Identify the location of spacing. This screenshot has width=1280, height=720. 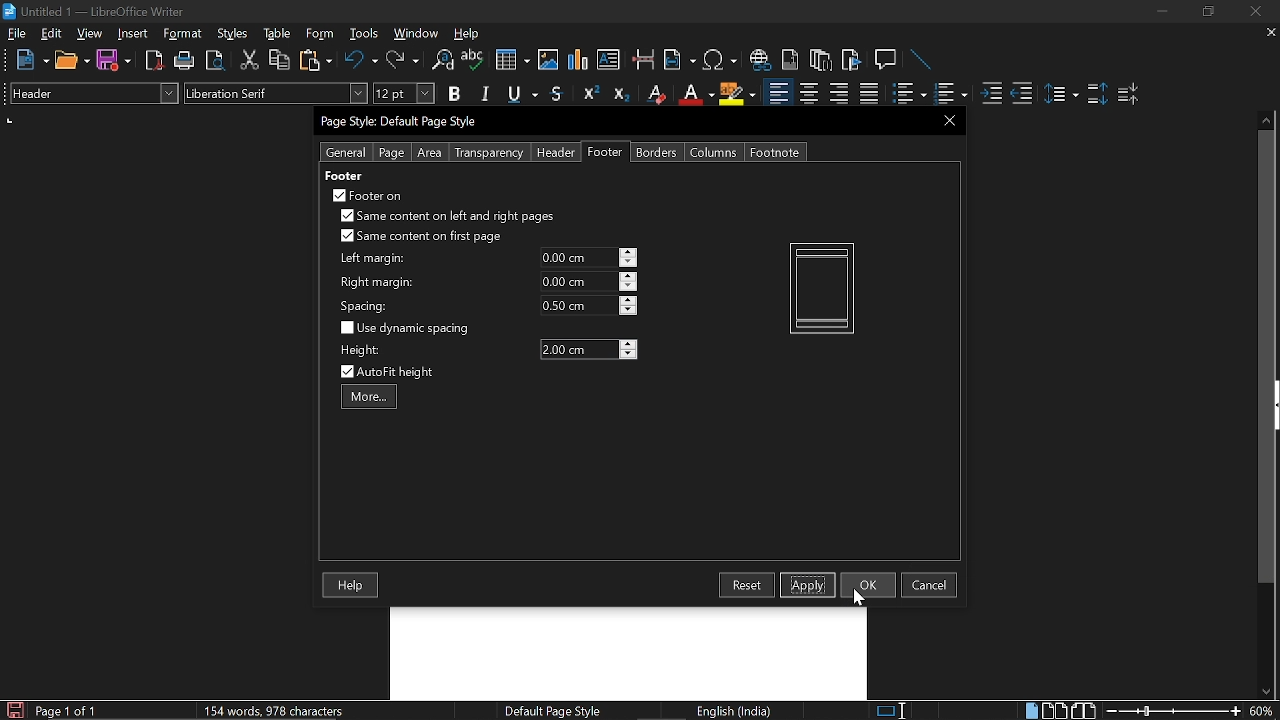
(367, 306).